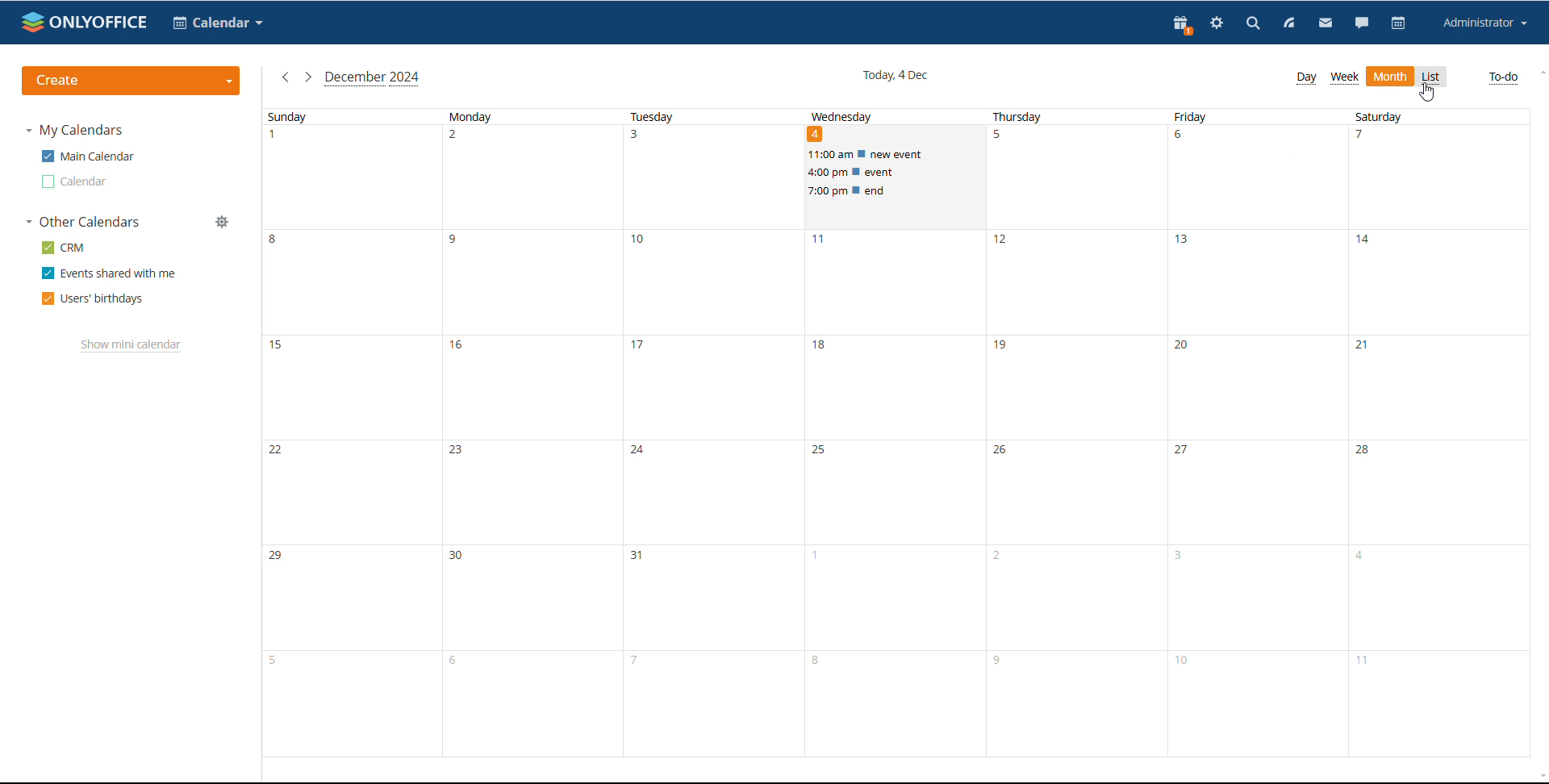 This screenshot has height=784, width=1549. What do you see at coordinates (1539, 73) in the screenshot?
I see `scroll up` at bounding box center [1539, 73].